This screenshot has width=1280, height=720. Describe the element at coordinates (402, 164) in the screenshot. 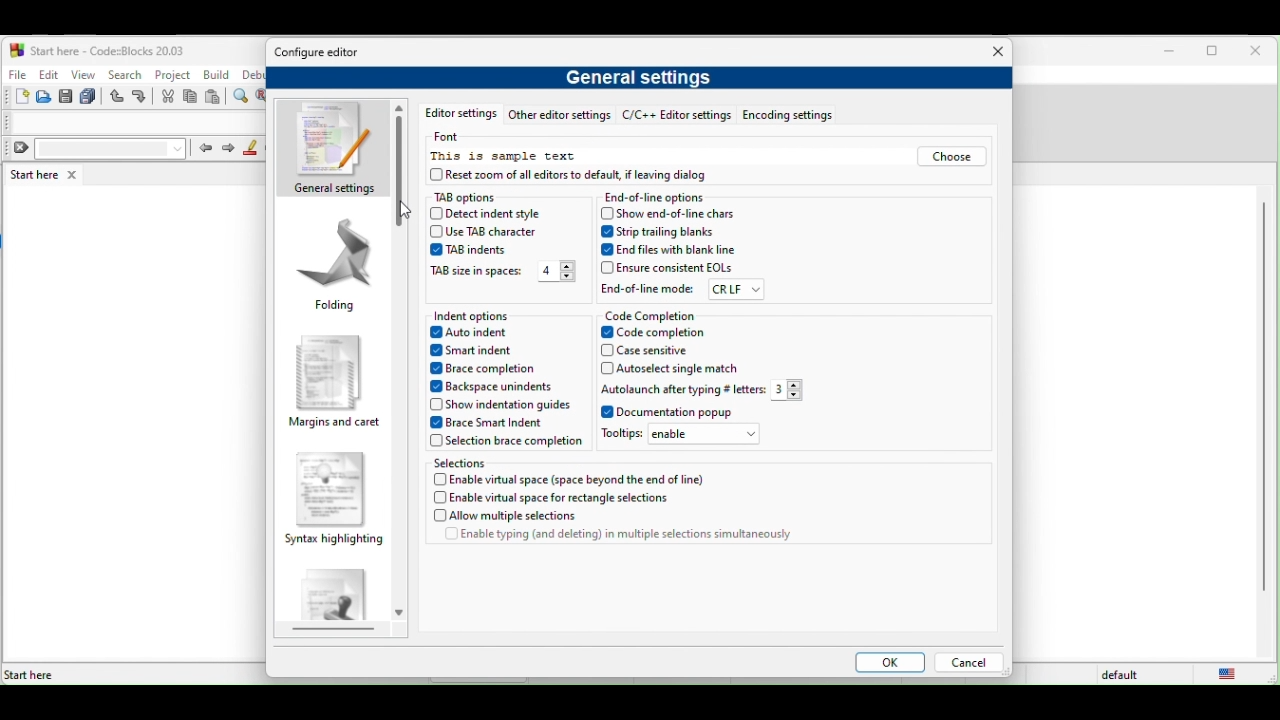

I see `vertical scroll bar` at that location.